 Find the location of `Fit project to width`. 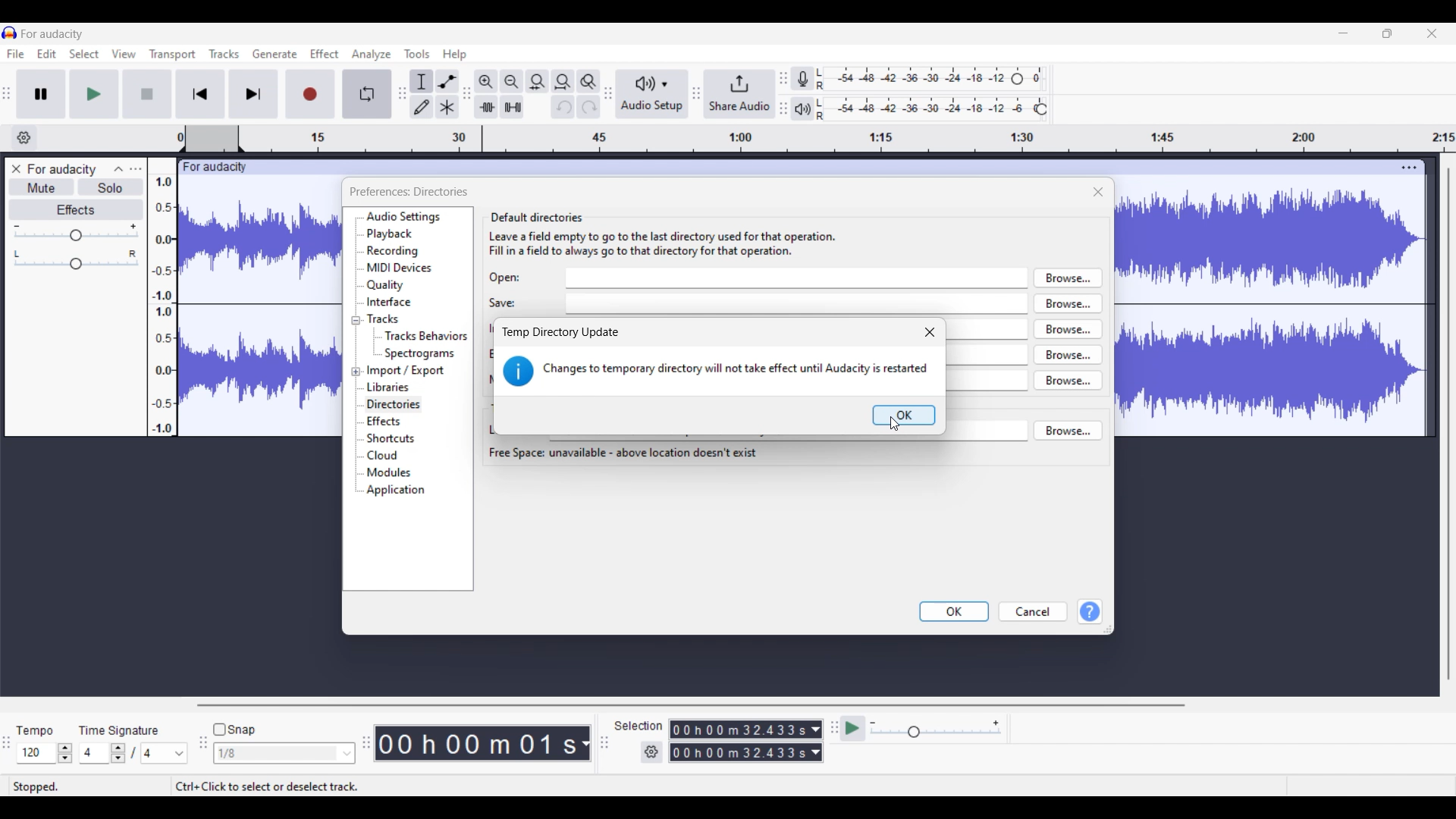

Fit project to width is located at coordinates (563, 82).